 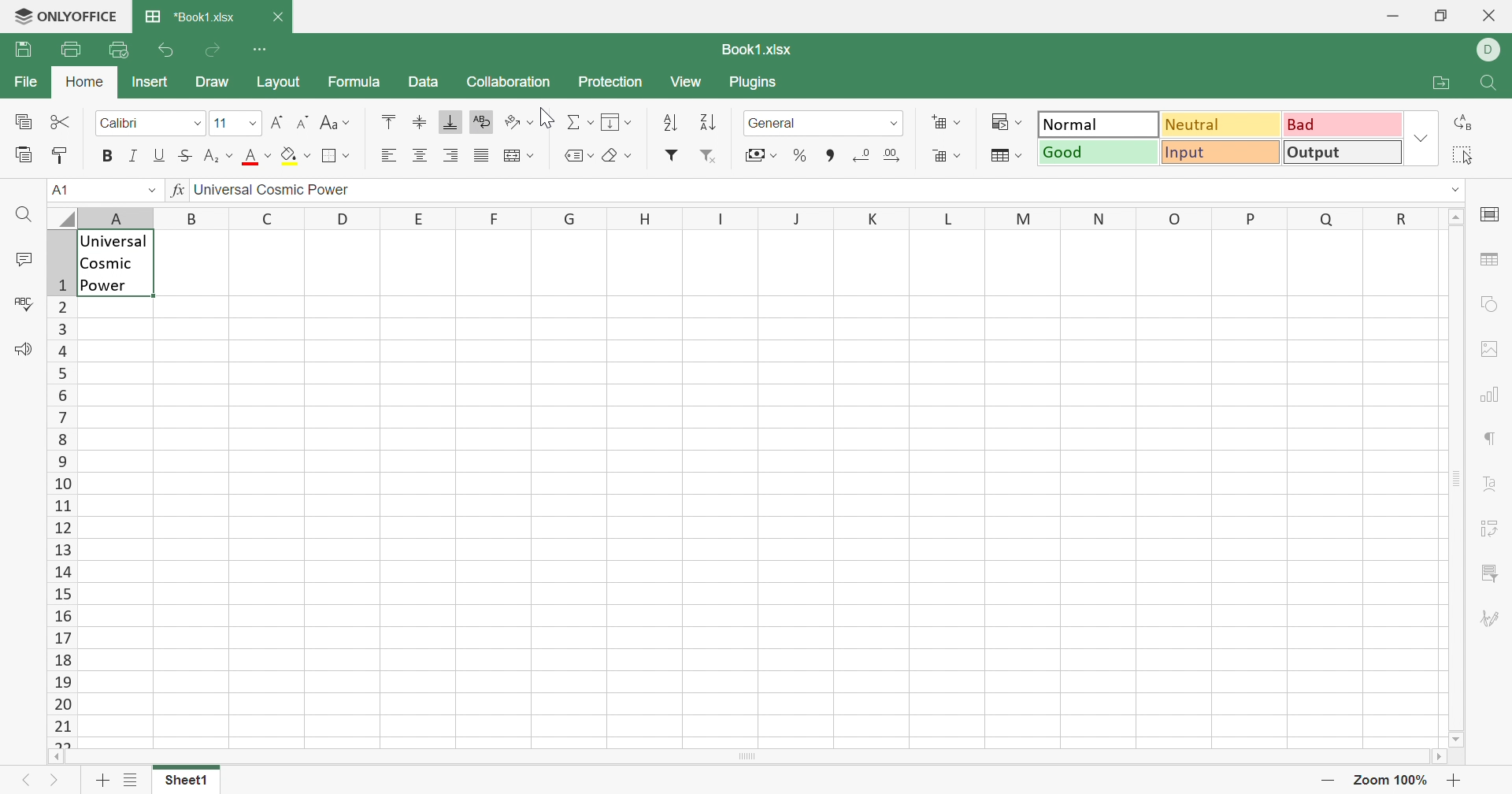 I want to click on Clear, so click(x=616, y=158).